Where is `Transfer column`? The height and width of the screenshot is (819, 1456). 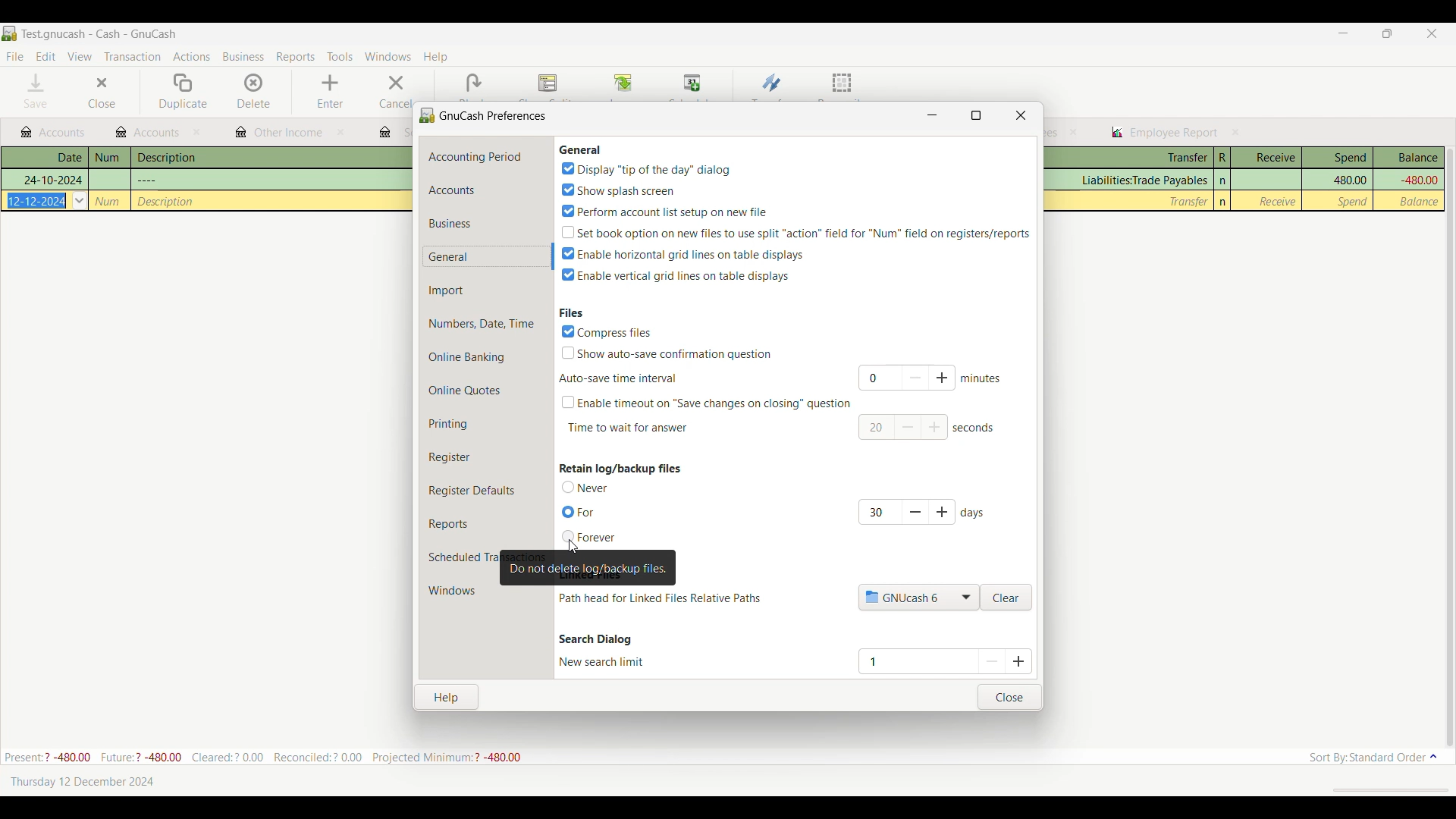
Transfer column is located at coordinates (1189, 201).